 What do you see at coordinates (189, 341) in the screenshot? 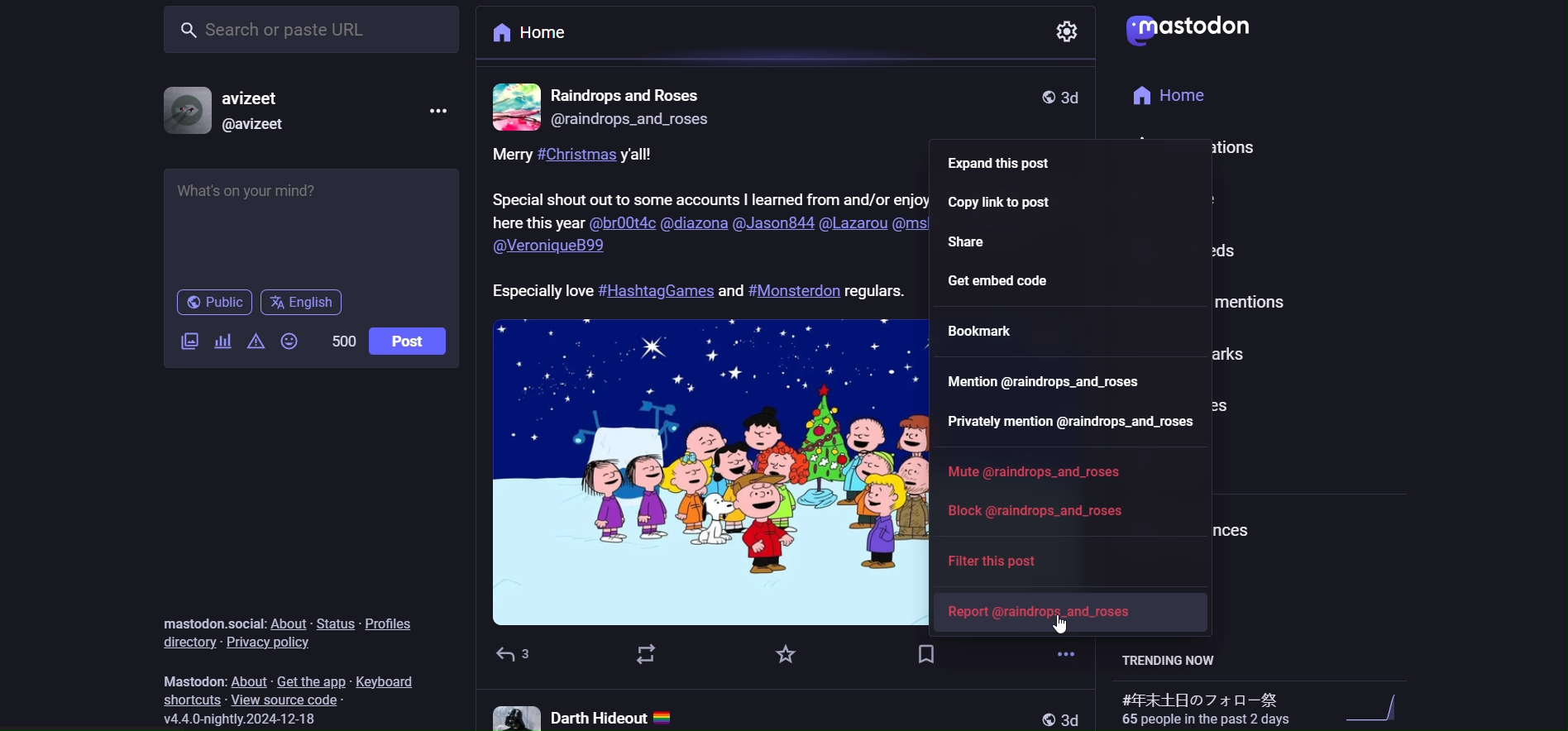
I see `image/video` at bounding box center [189, 341].